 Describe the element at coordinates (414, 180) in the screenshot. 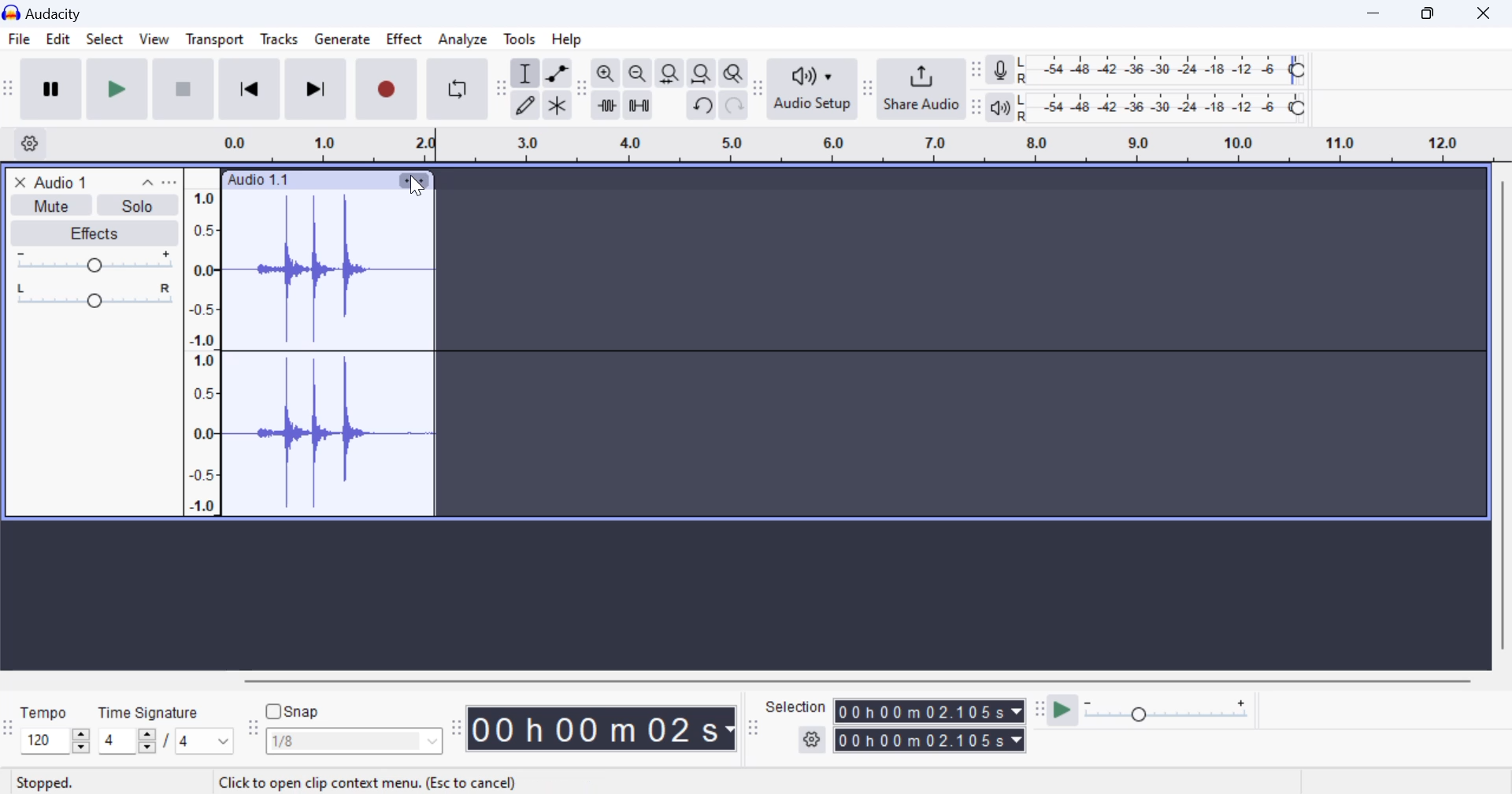

I see `Clip Settings` at that location.